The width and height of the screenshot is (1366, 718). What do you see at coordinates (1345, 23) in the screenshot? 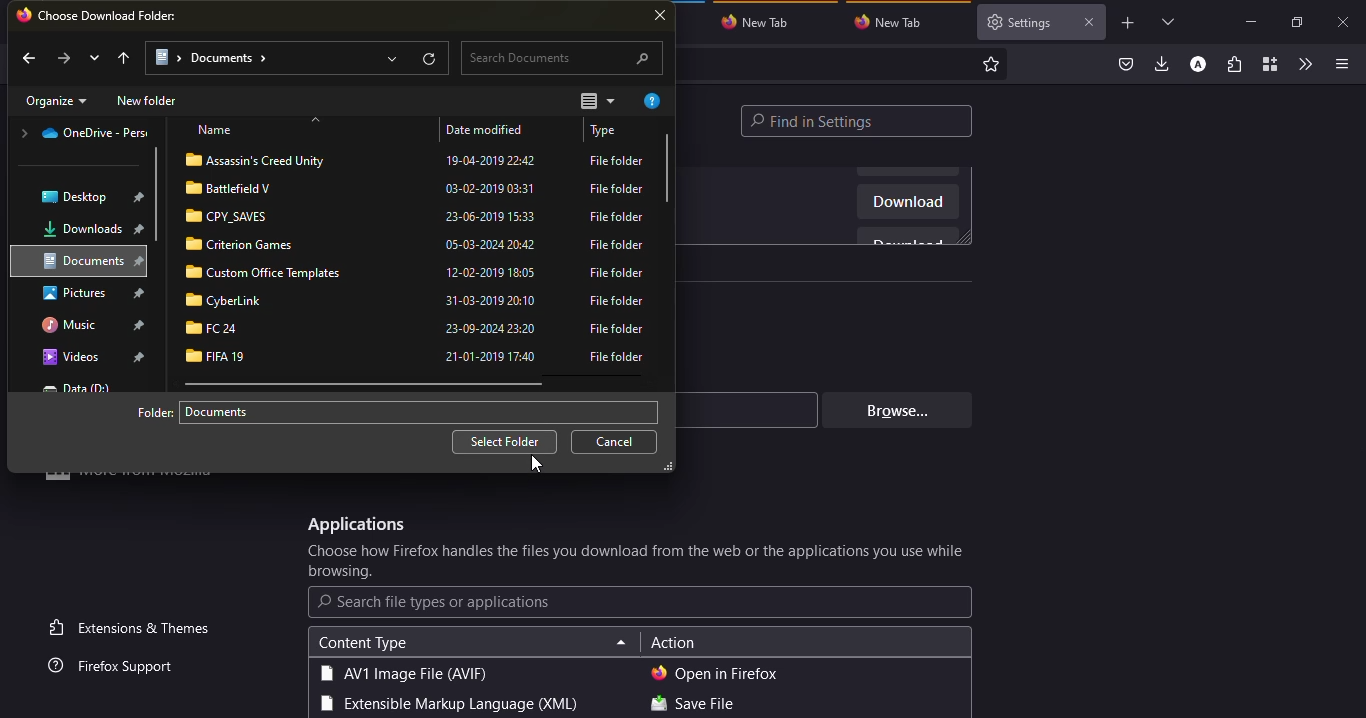
I see `close` at bounding box center [1345, 23].